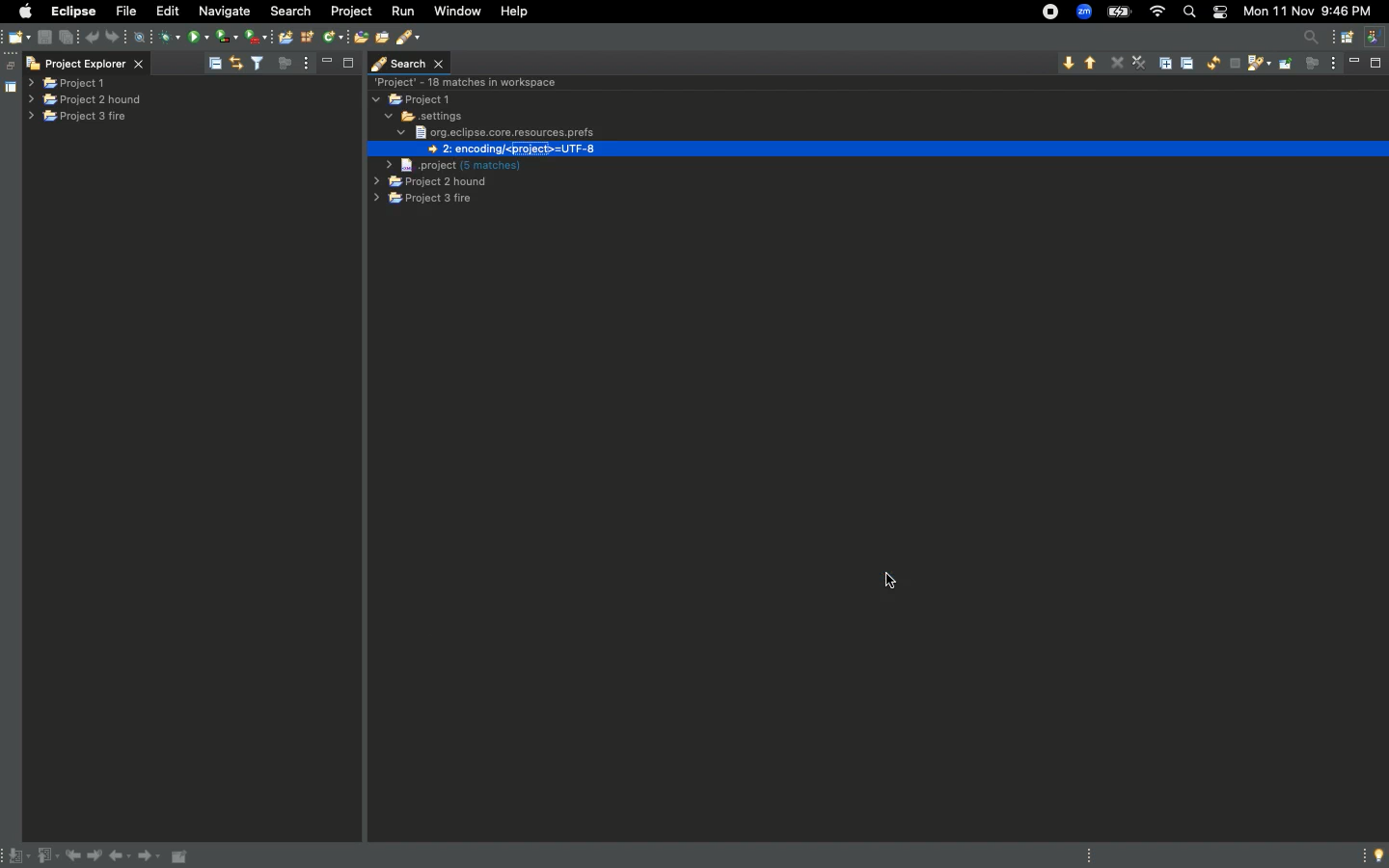 The height and width of the screenshot is (868, 1389). Describe the element at coordinates (1067, 63) in the screenshot. I see `Show next match` at that location.